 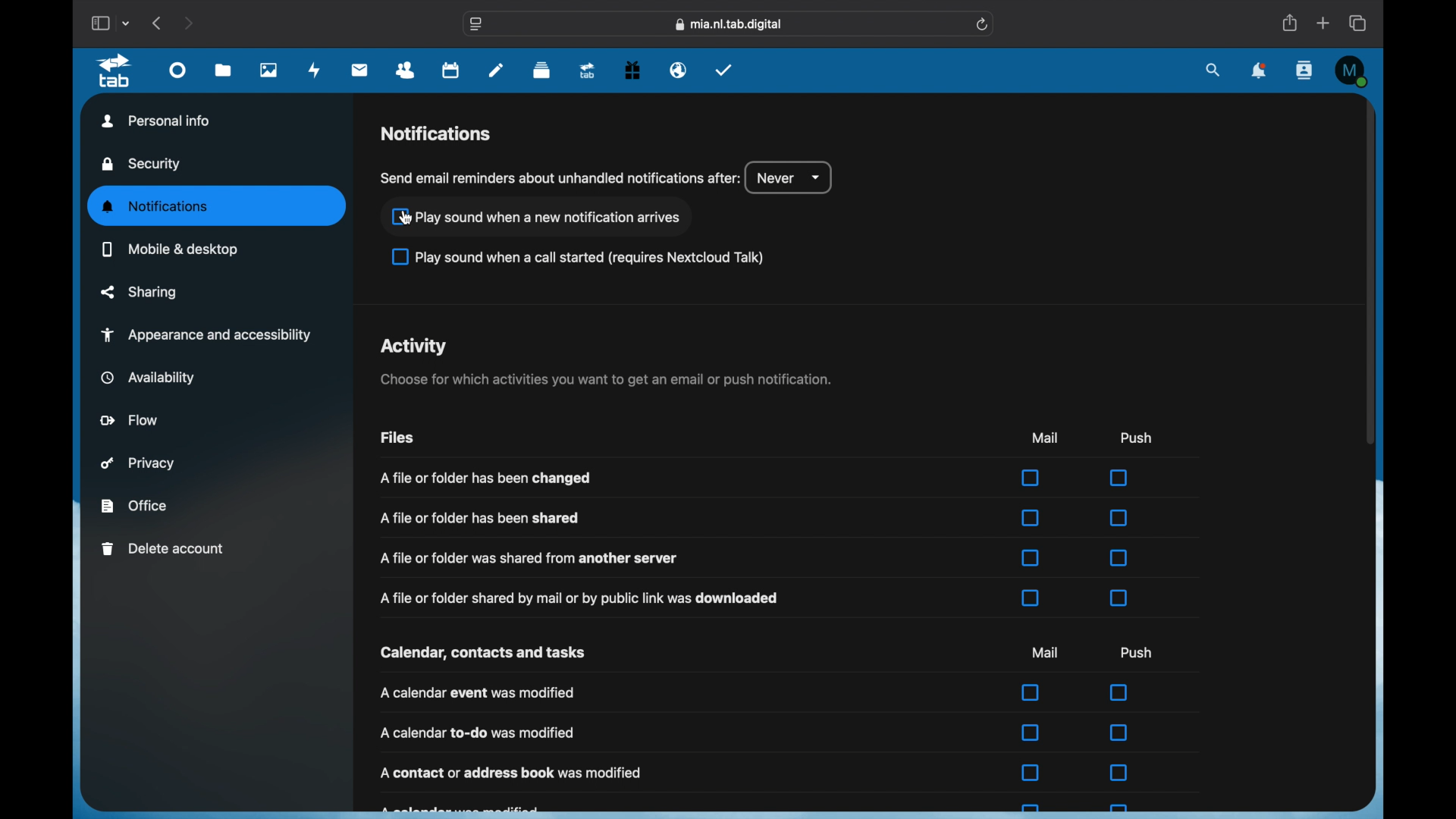 I want to click on mail, so click(x=1046, y=652).